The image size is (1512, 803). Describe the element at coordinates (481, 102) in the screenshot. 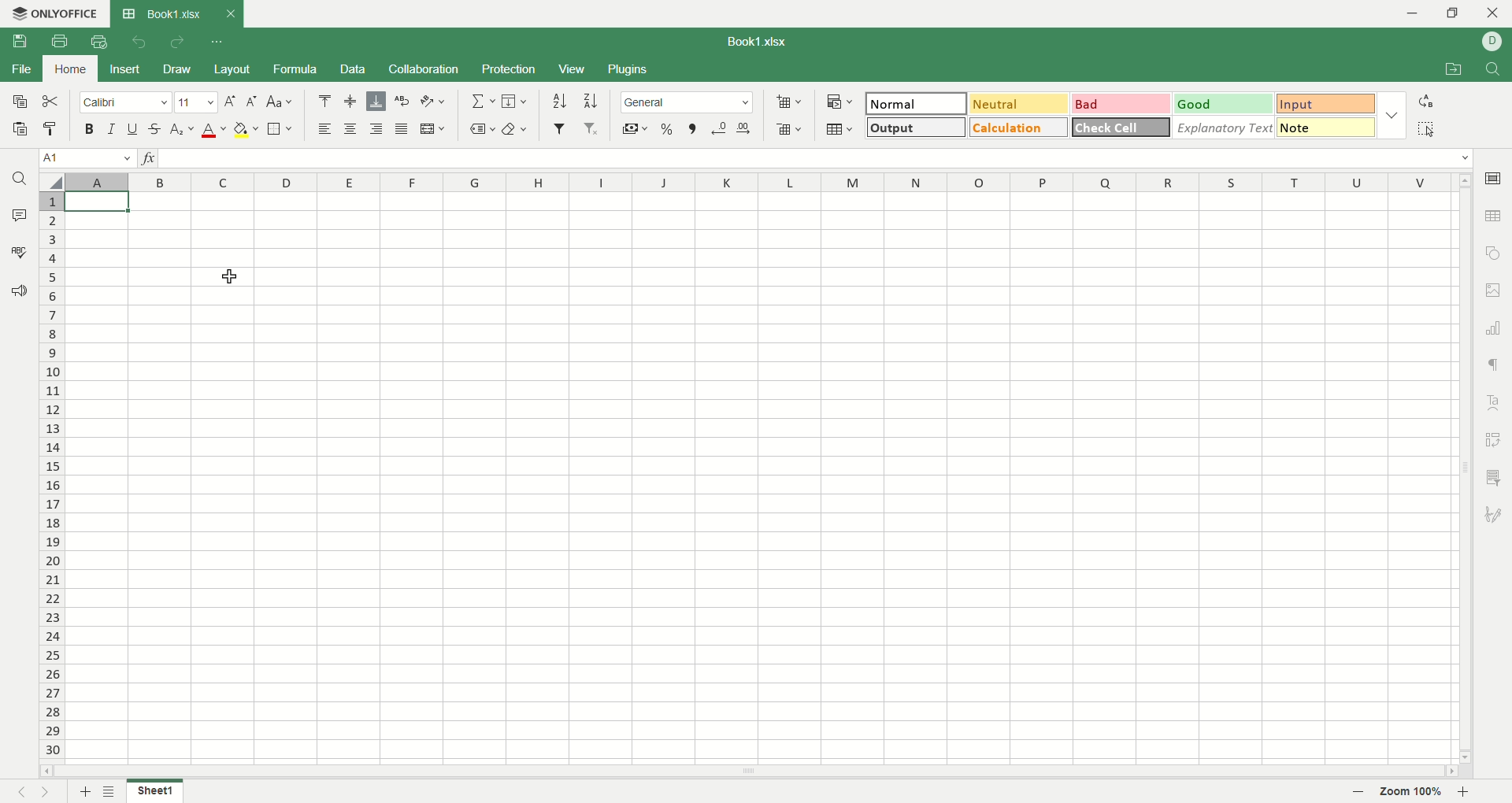

I see `summation` at that location.